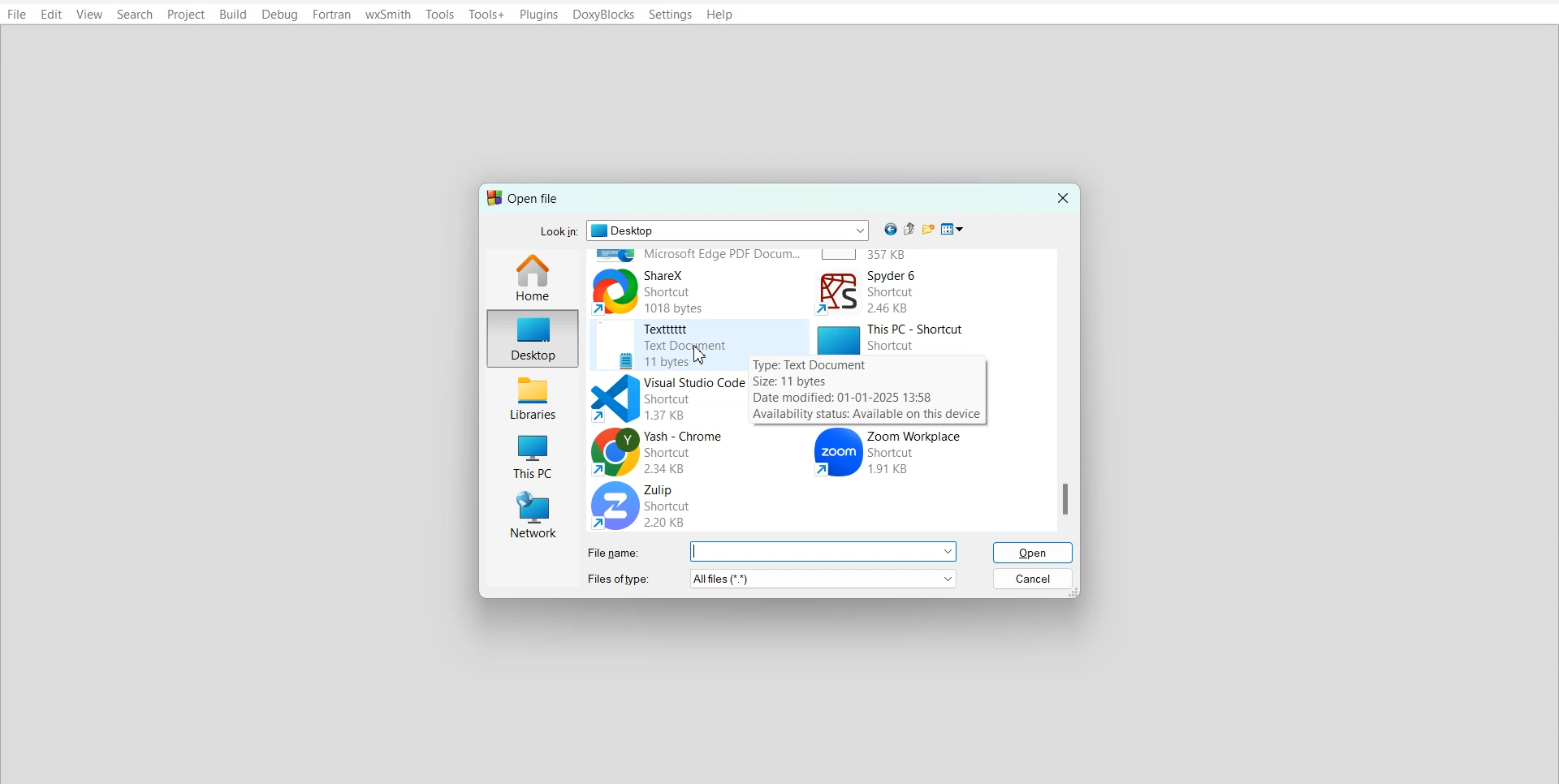 Image resolution: width=1559 pixels, height=784 pixels. I want to click on Zulip, so click(701, 506).